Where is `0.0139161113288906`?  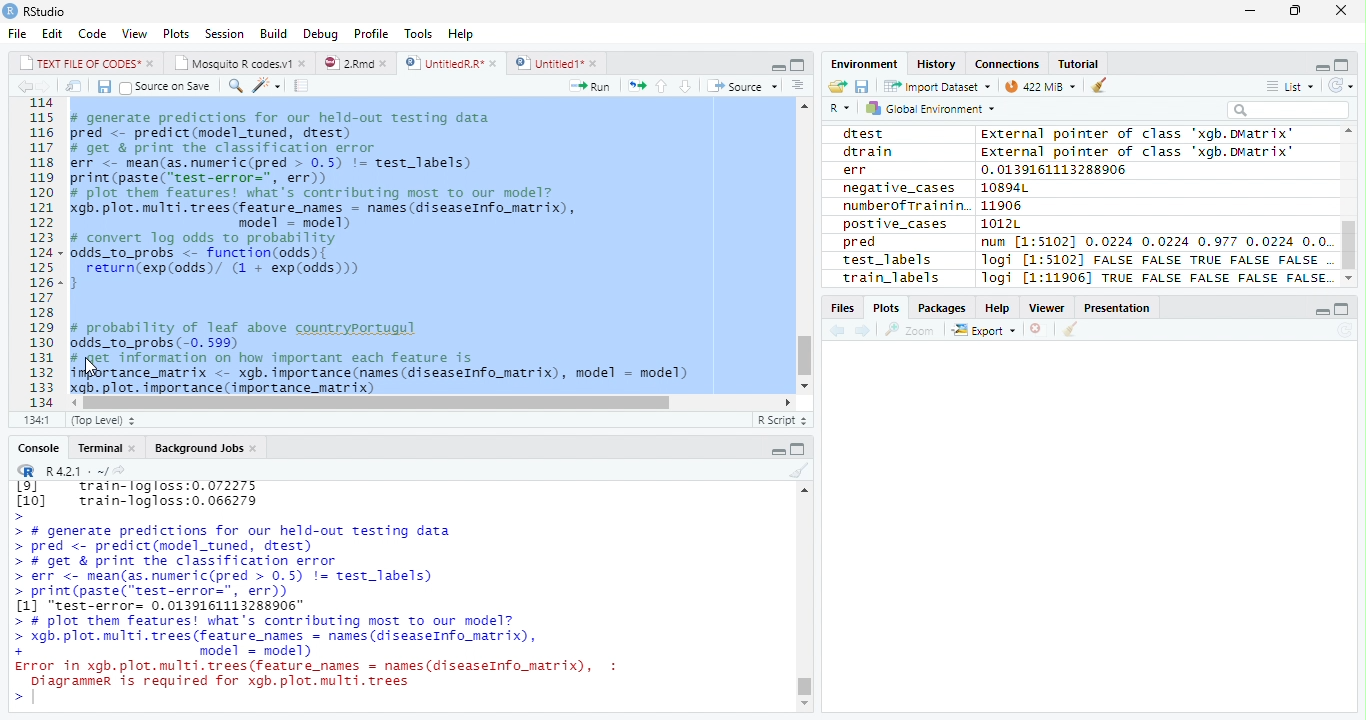 0.0139161113288906 is located at coordinates (1057, 169).